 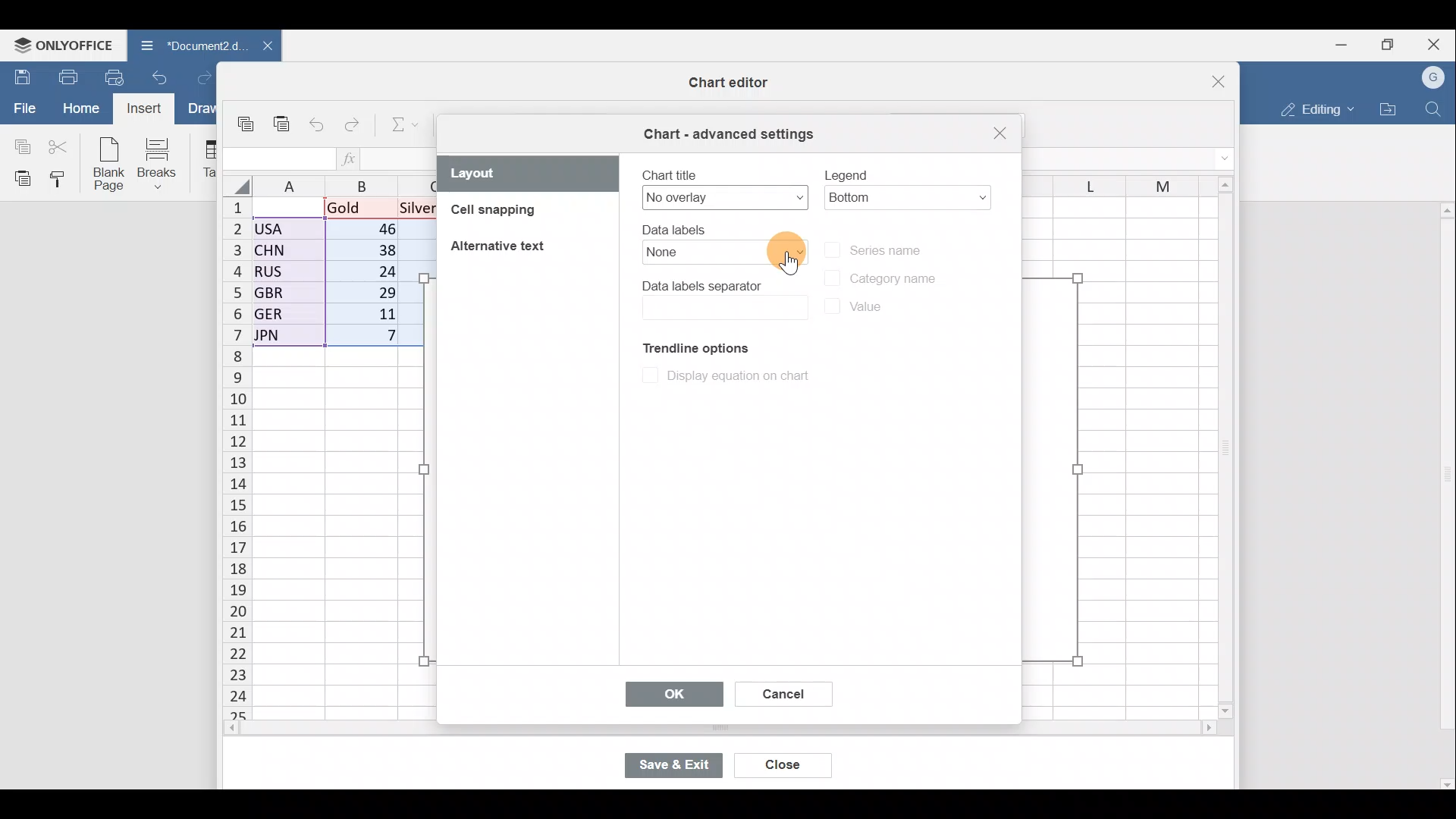 I want to click on Cursor on Insert, so click(x=149, y=108).